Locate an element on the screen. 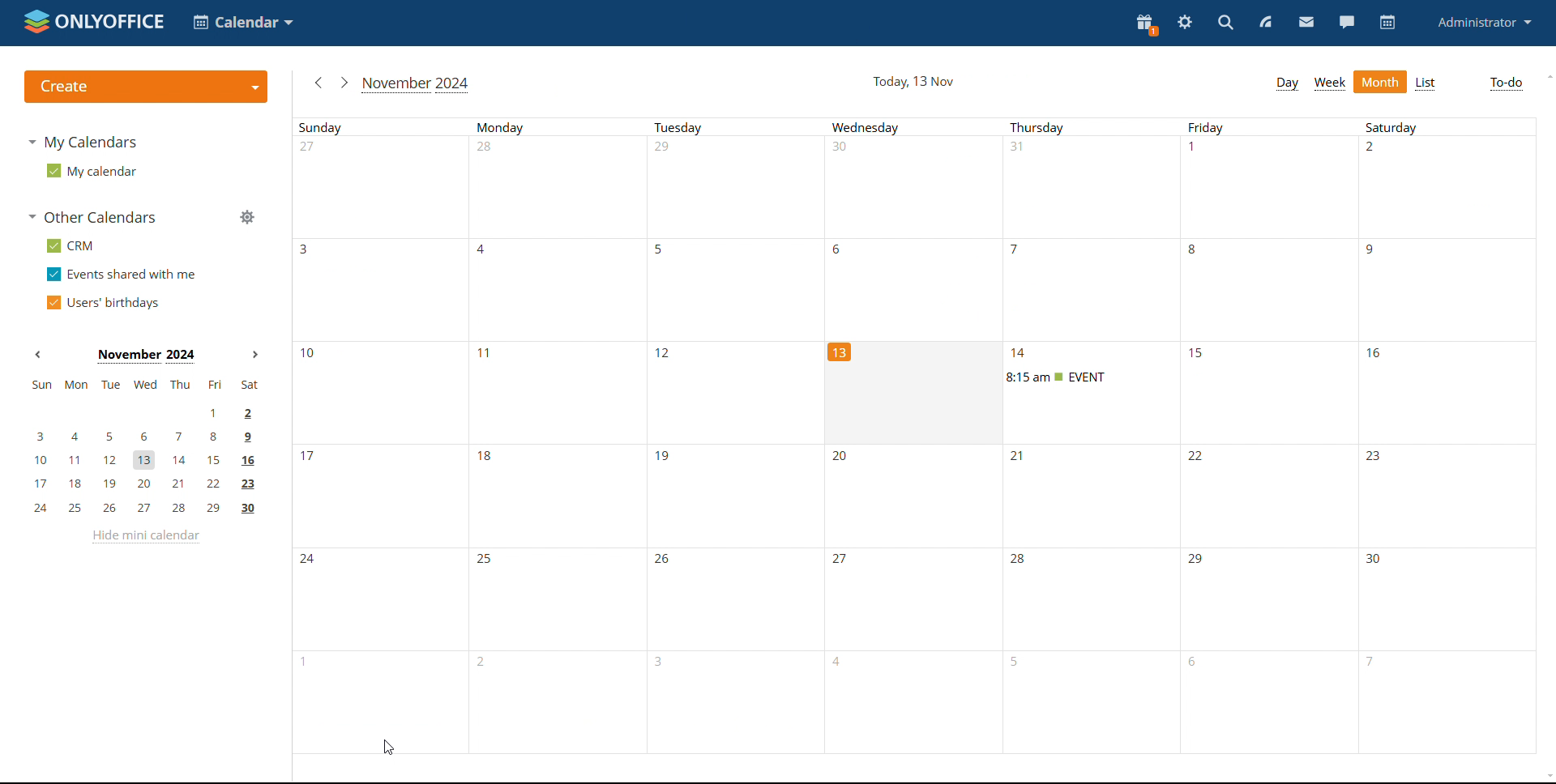 The image size is (1556, 784). unallocated time slots is located at coordinates (923, 681).